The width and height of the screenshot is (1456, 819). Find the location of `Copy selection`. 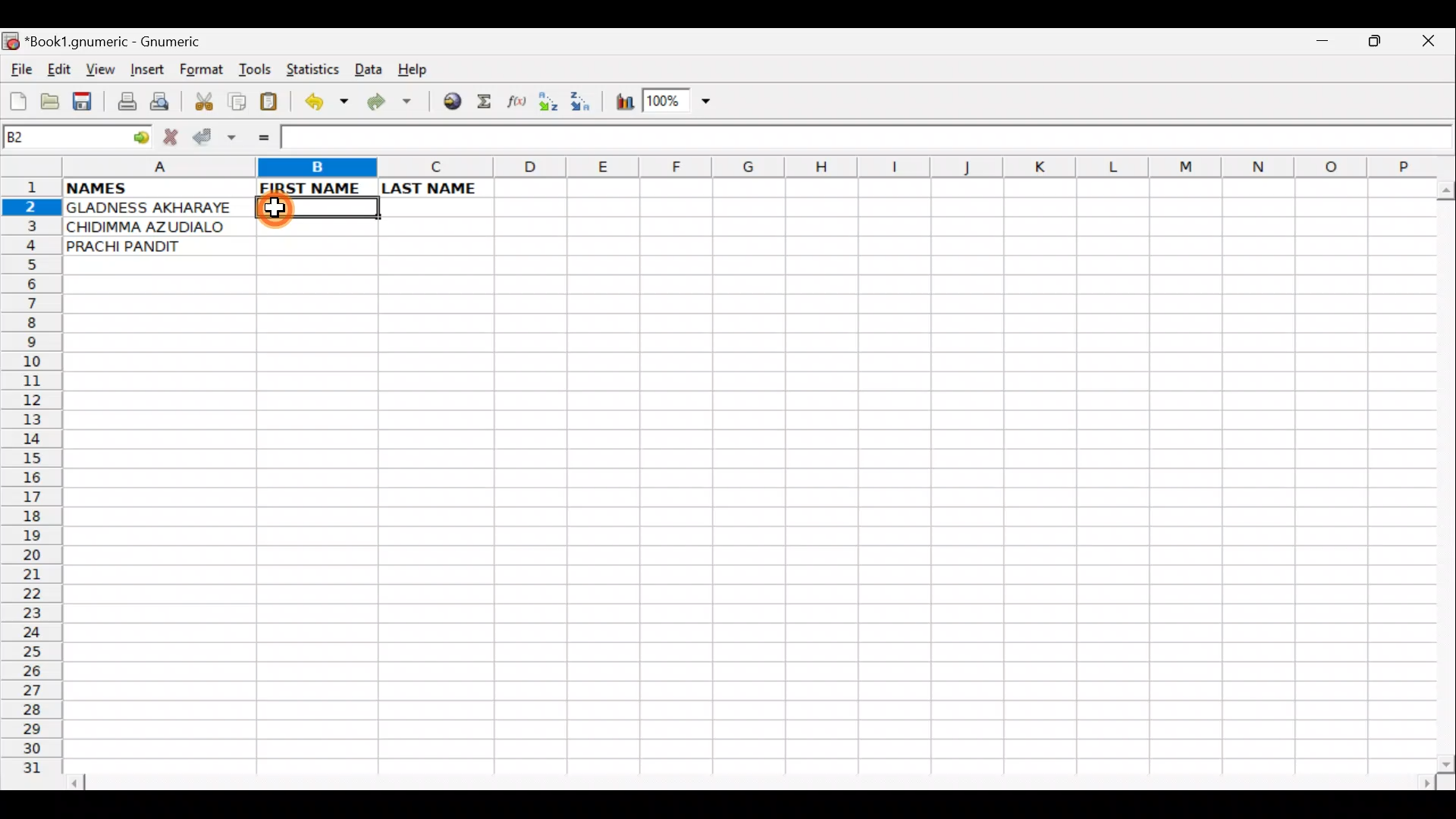

Copy selection is located at coordinates (238, 101).